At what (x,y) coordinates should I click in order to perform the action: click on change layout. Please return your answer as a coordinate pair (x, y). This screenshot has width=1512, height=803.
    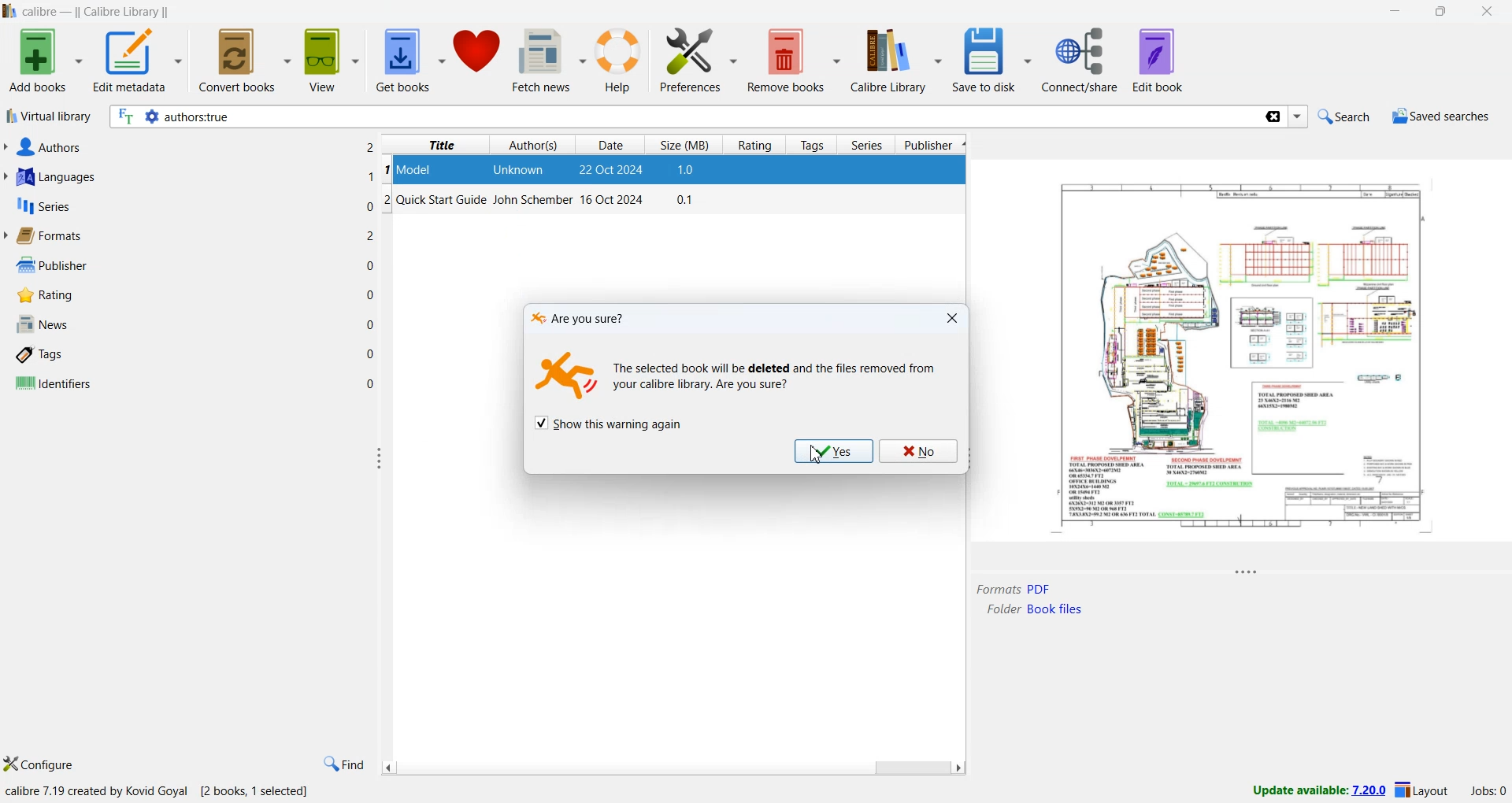
    Looking at the image, I should click on (1421, 793).